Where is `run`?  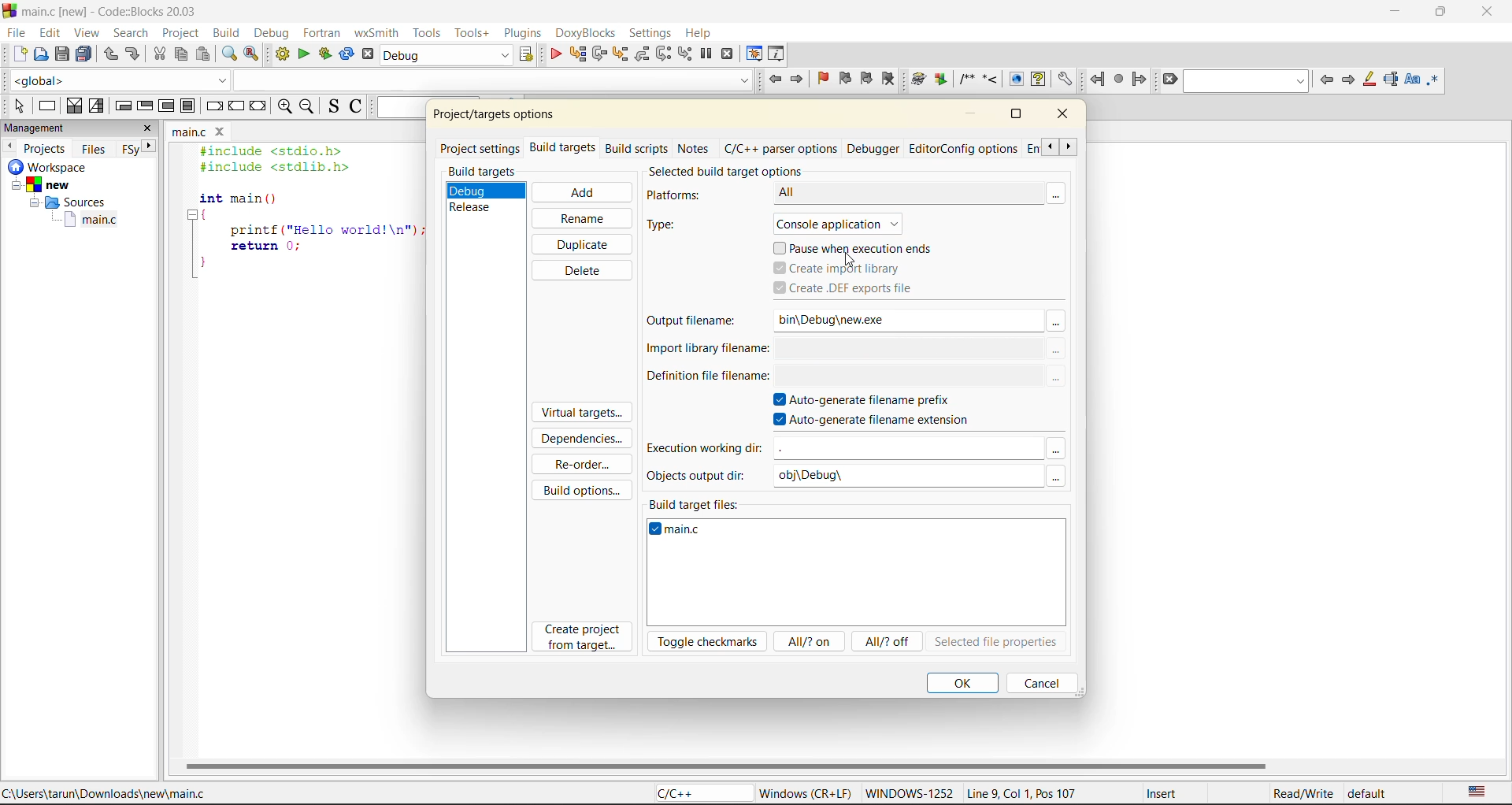
run is located at coordinates (302, 56).